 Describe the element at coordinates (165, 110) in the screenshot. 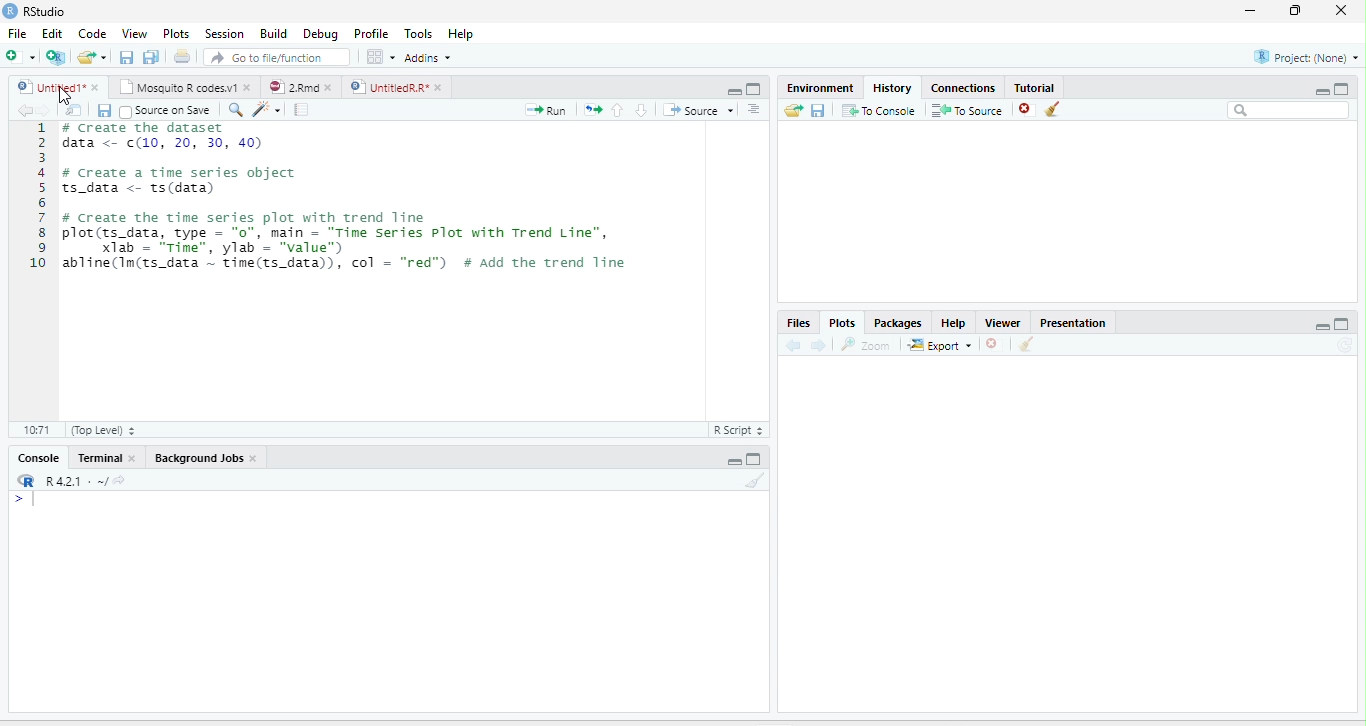

I see `Source on Save` at that location.